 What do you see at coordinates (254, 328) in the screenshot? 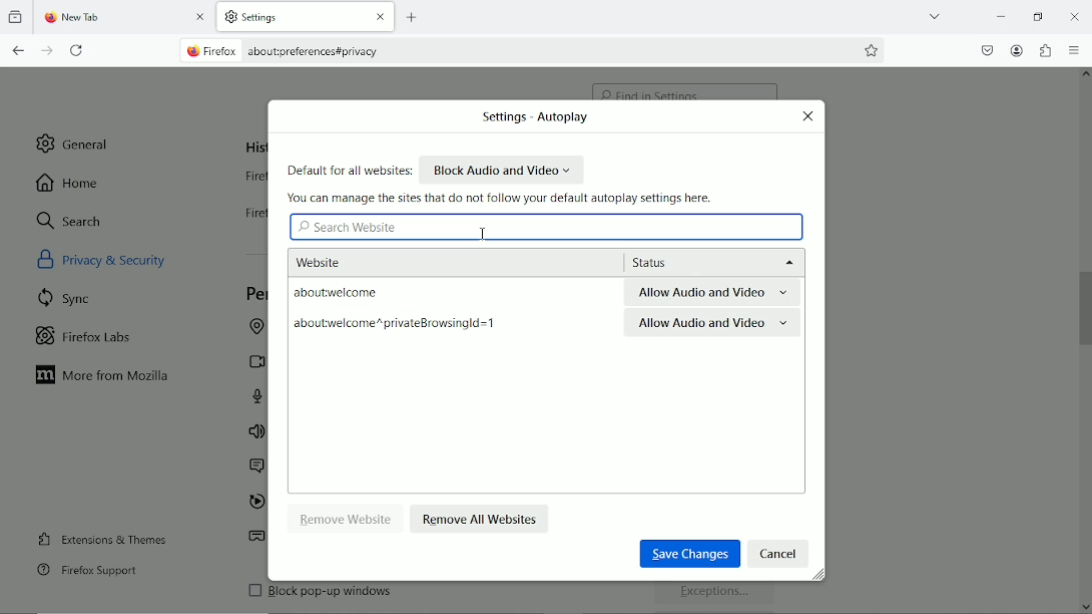
I see `location` at bounding box center [254, 328].